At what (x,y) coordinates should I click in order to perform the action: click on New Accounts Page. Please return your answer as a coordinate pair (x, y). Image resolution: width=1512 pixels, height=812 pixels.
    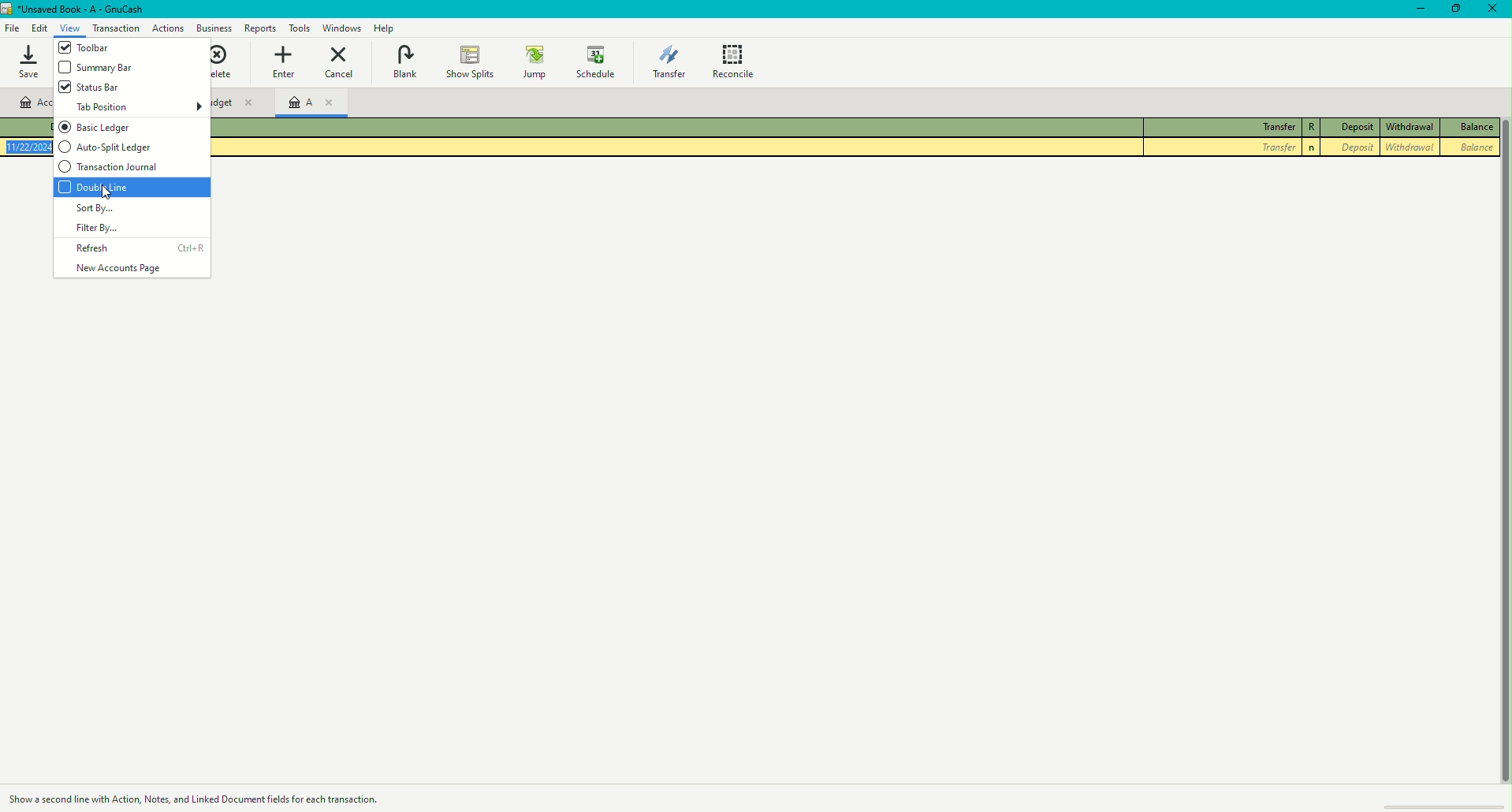
    Looking at the image, I should click on (120, 268).